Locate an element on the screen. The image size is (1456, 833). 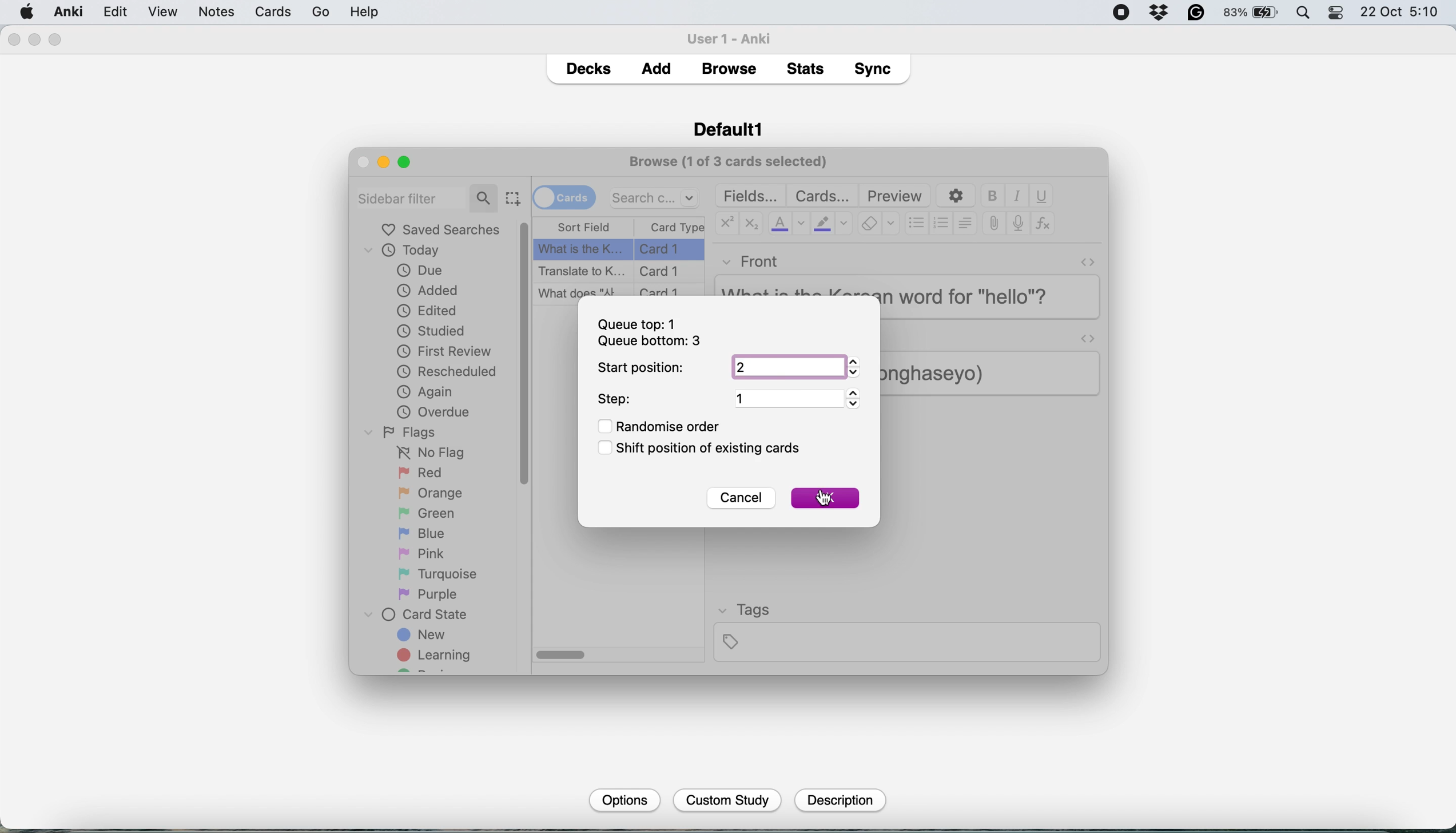
resheduled is located at coordinates (451, 372).